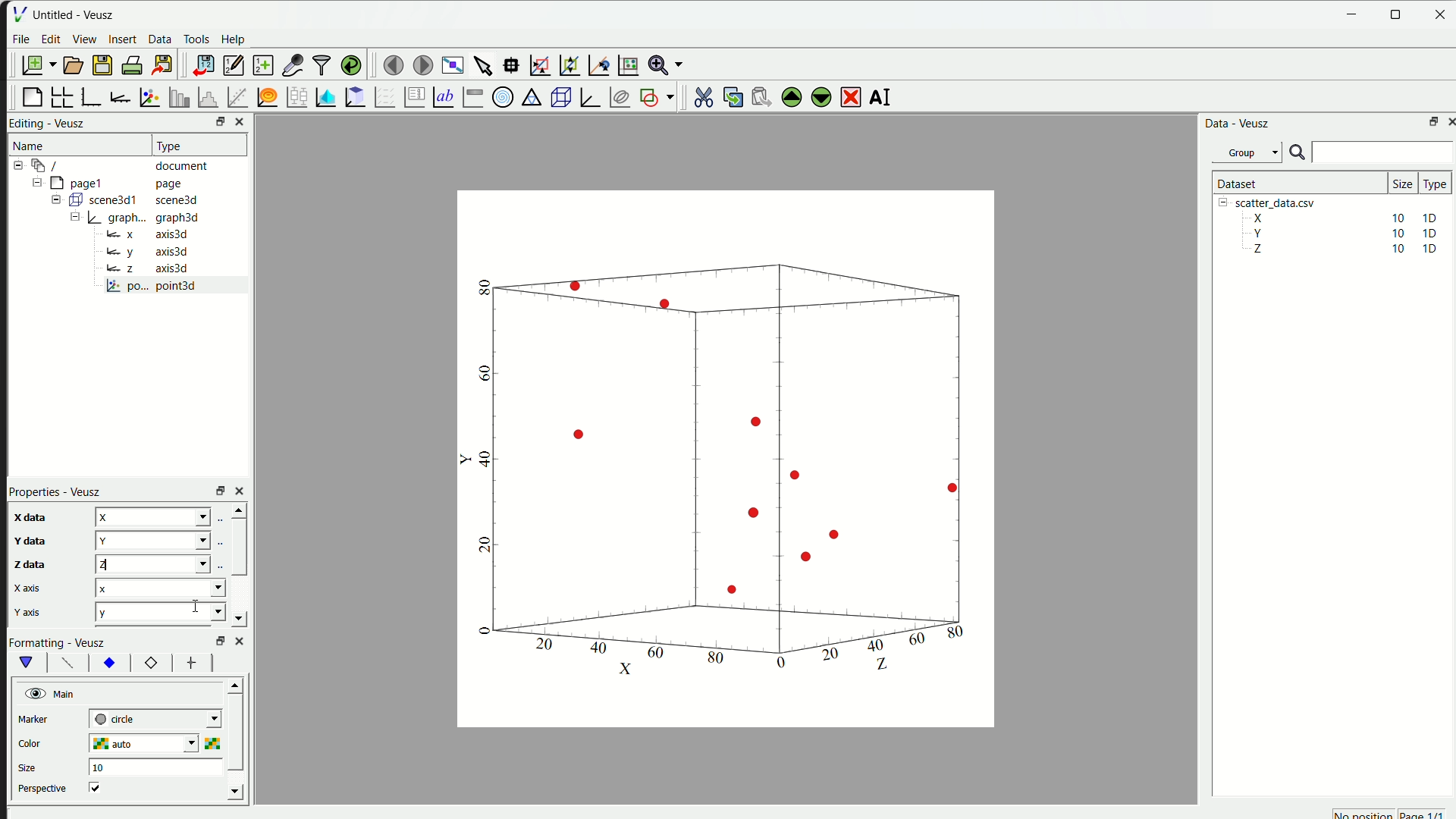  I want to click on Zoom menu, so click(664, 64).